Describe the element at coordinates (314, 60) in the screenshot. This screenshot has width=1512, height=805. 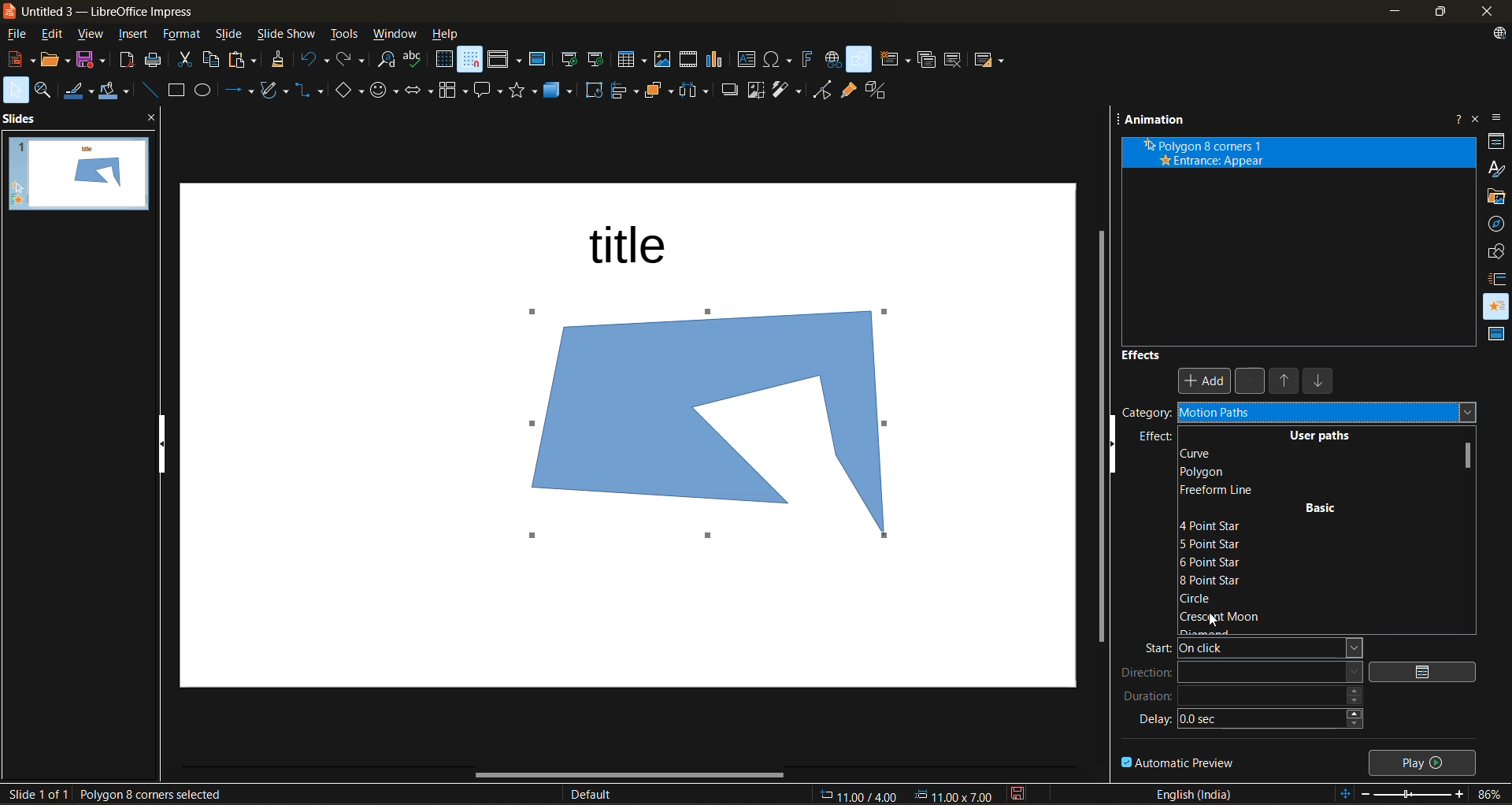
I see `undo` at that location.